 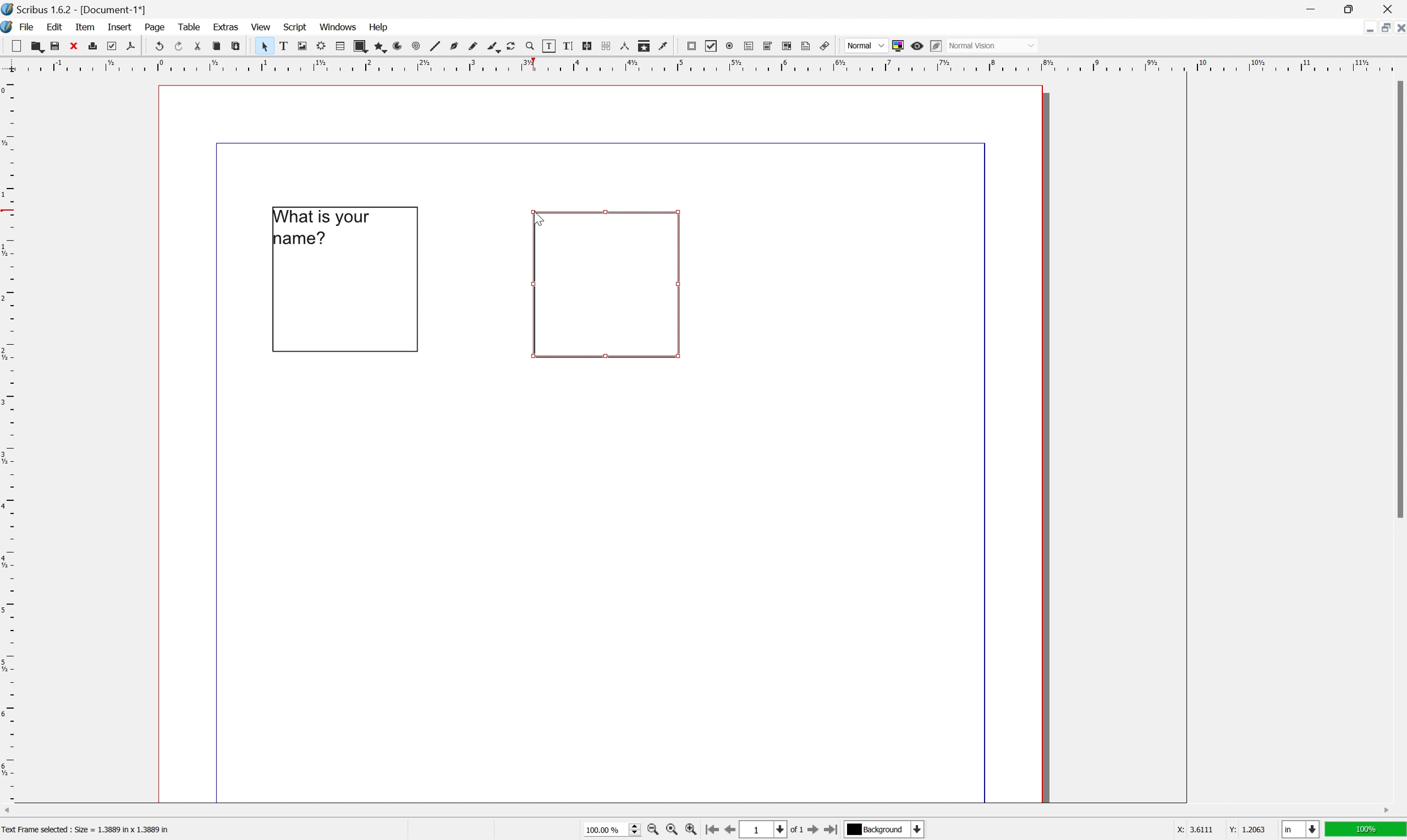 I want to click on page, so click(x=156, y=27).